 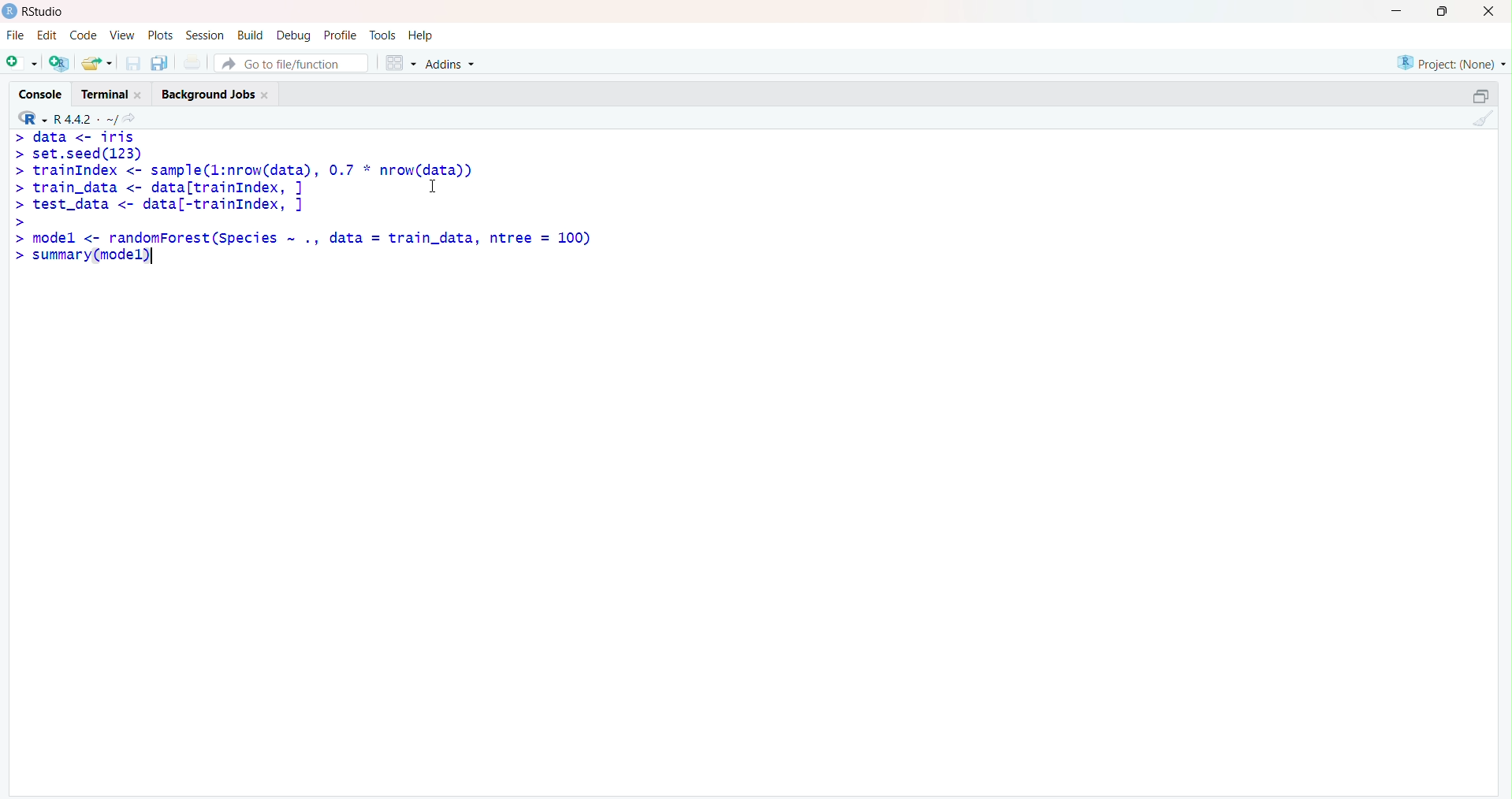 I want to click on View, so click(x=121, y=35).